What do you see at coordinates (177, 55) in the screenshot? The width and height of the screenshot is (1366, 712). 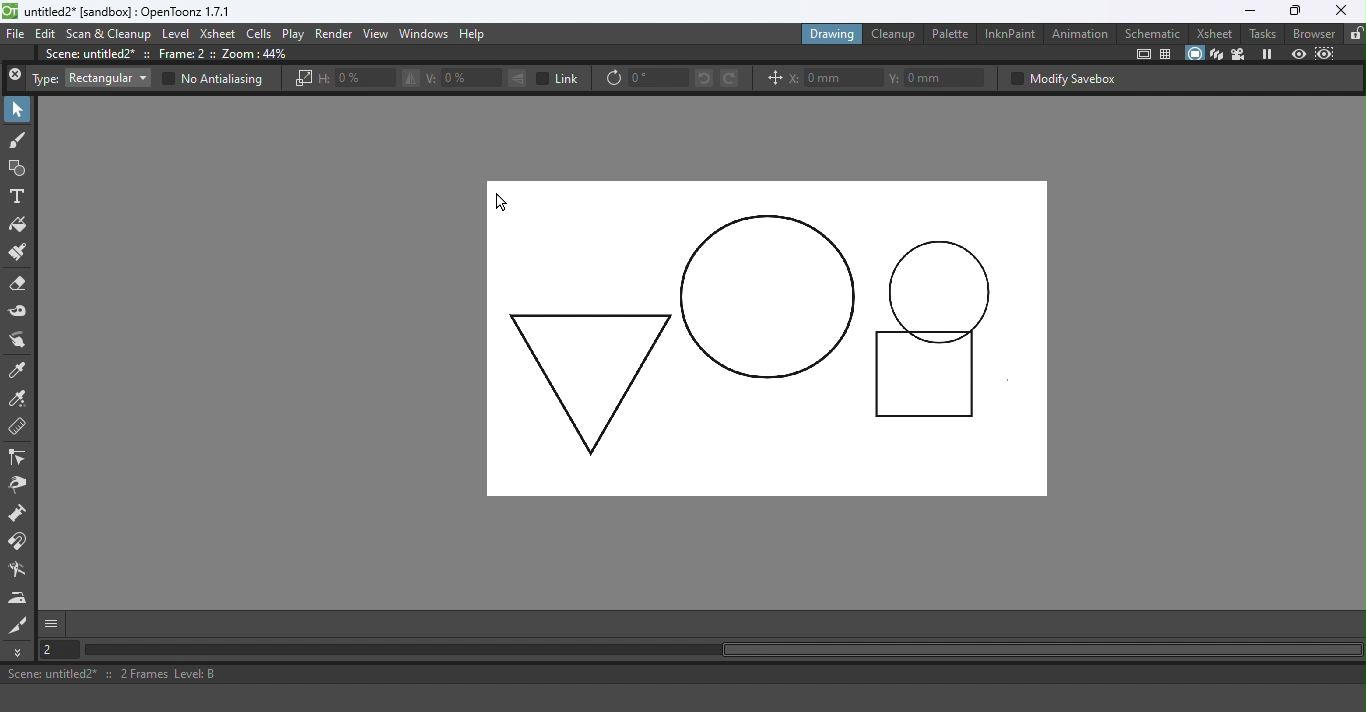 I see `Scene: untitle2* :: Frame: 2 :: Zoom:44%` at bounding box center [177, 55].